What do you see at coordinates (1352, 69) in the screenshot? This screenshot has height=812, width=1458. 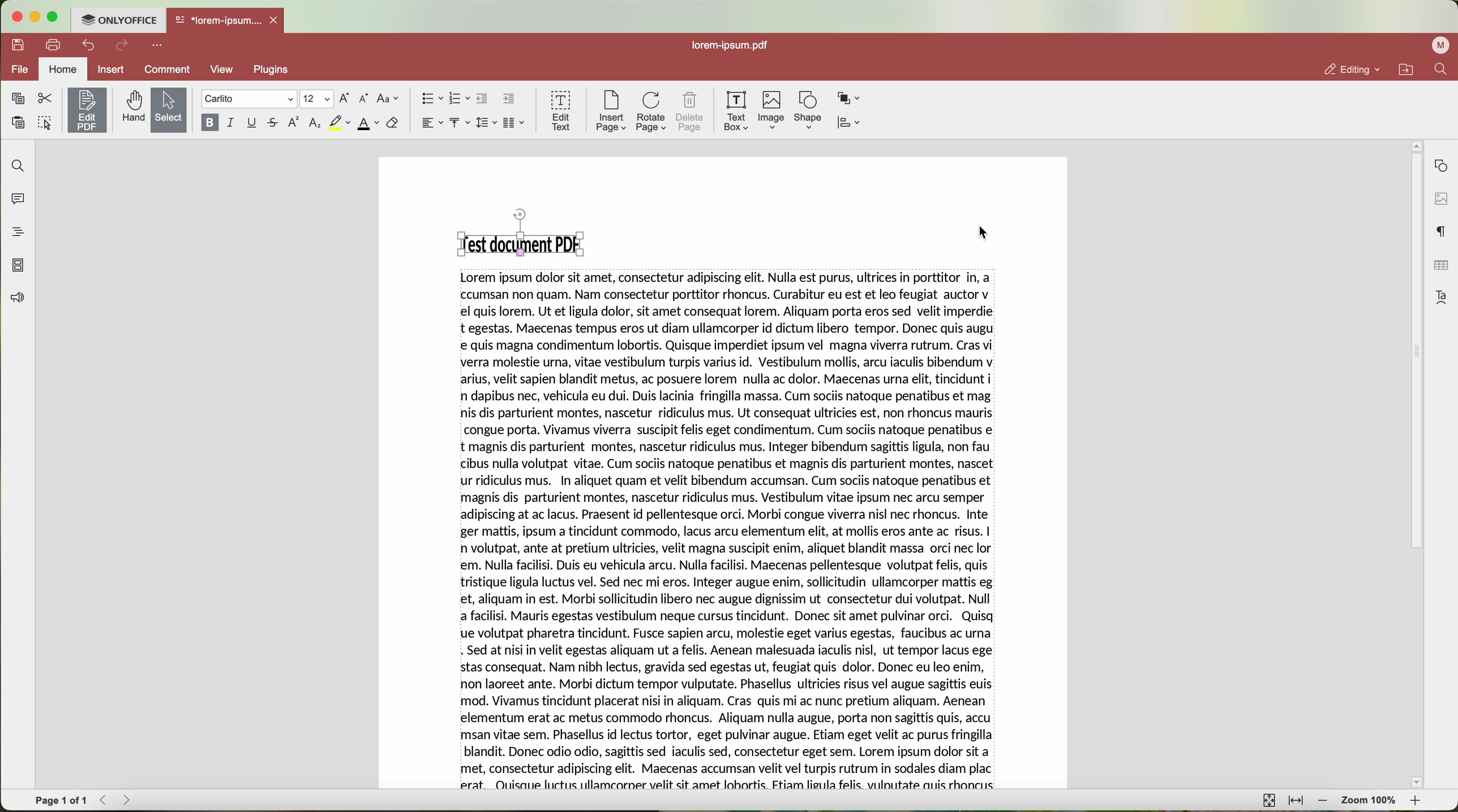 I see `editing` at bounding box center [1352, 69].